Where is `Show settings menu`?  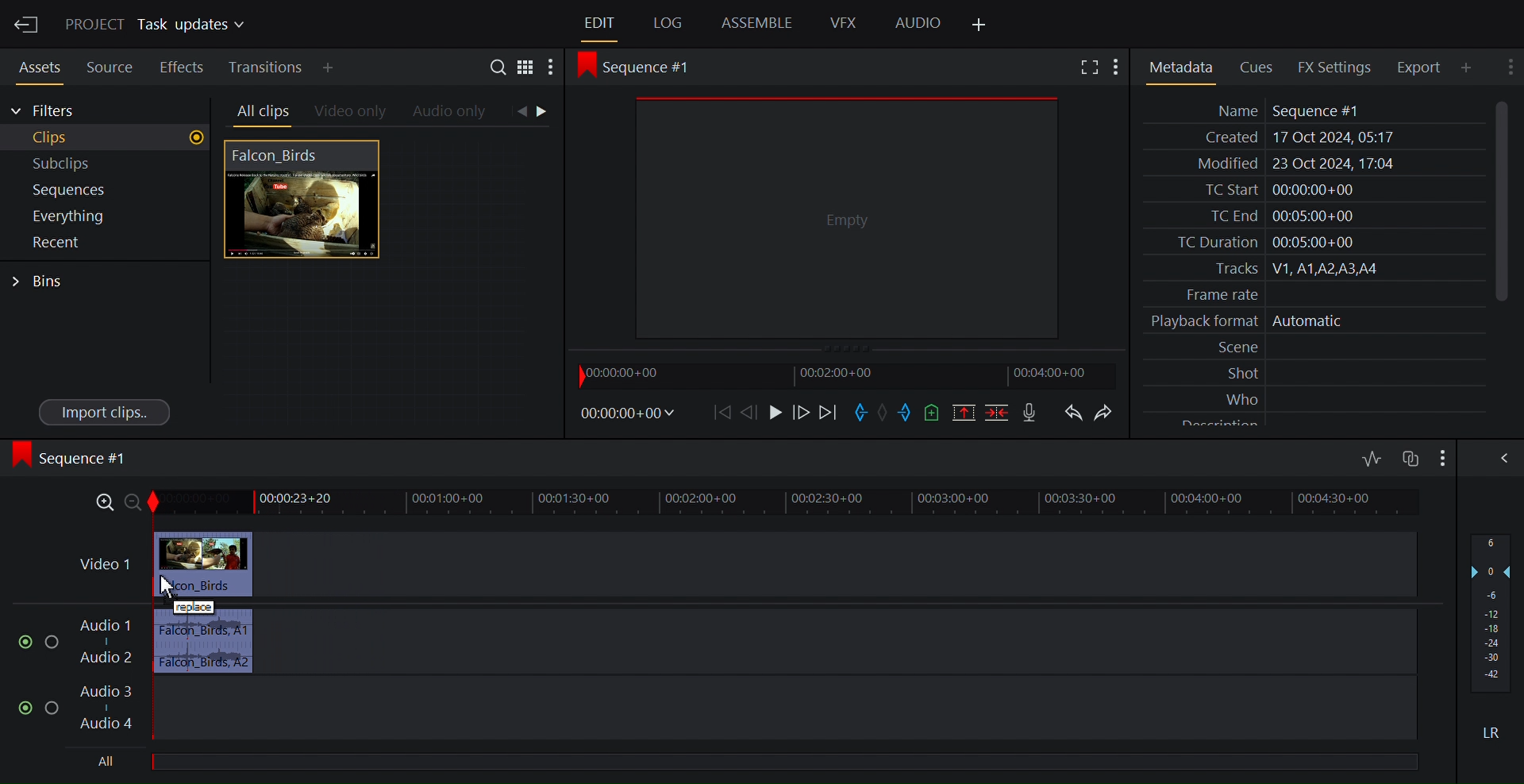 Show settings menu is located at coordinates (1508, 66).